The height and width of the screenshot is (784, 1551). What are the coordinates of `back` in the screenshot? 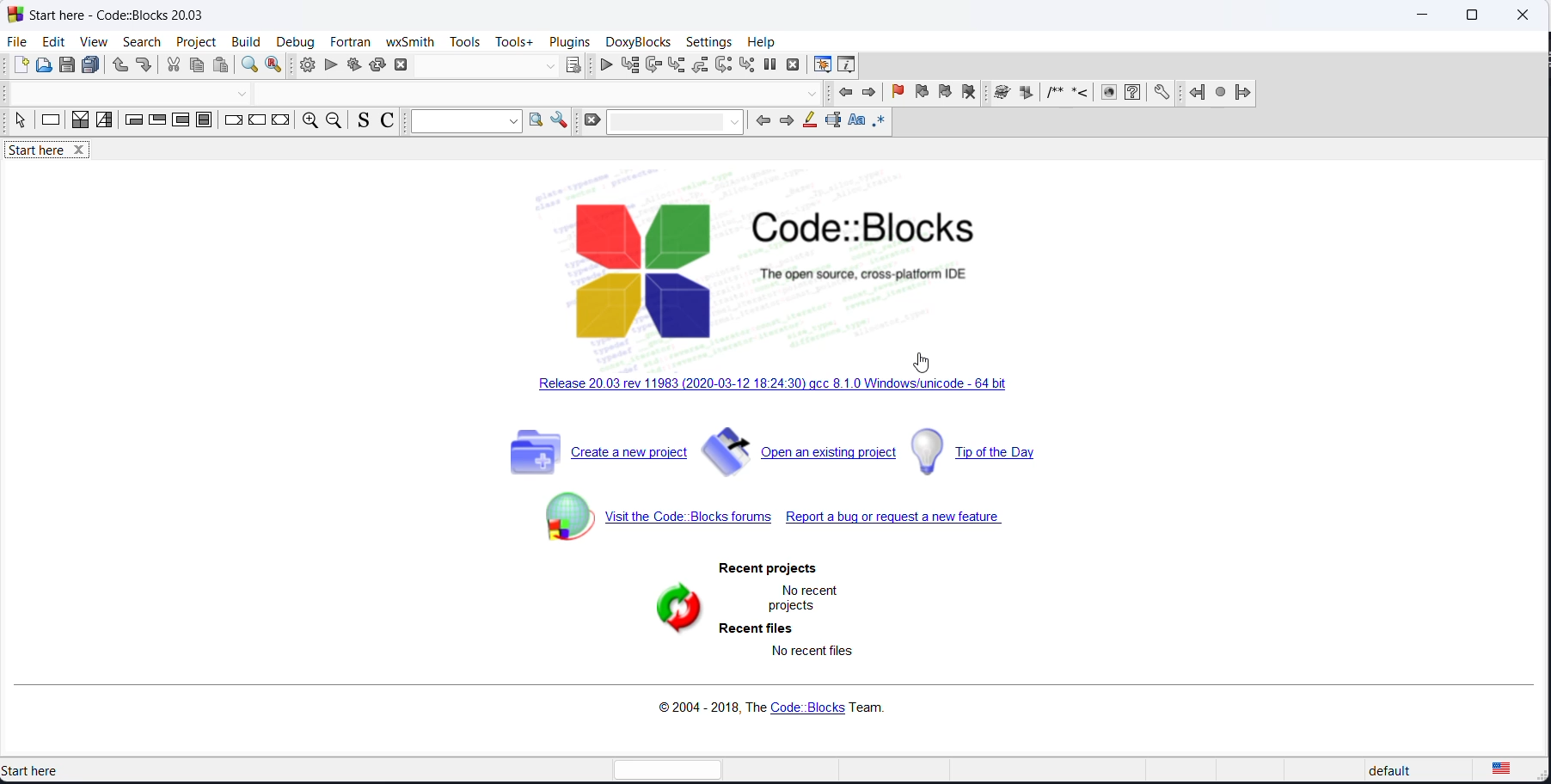 It's located at (758, 122).